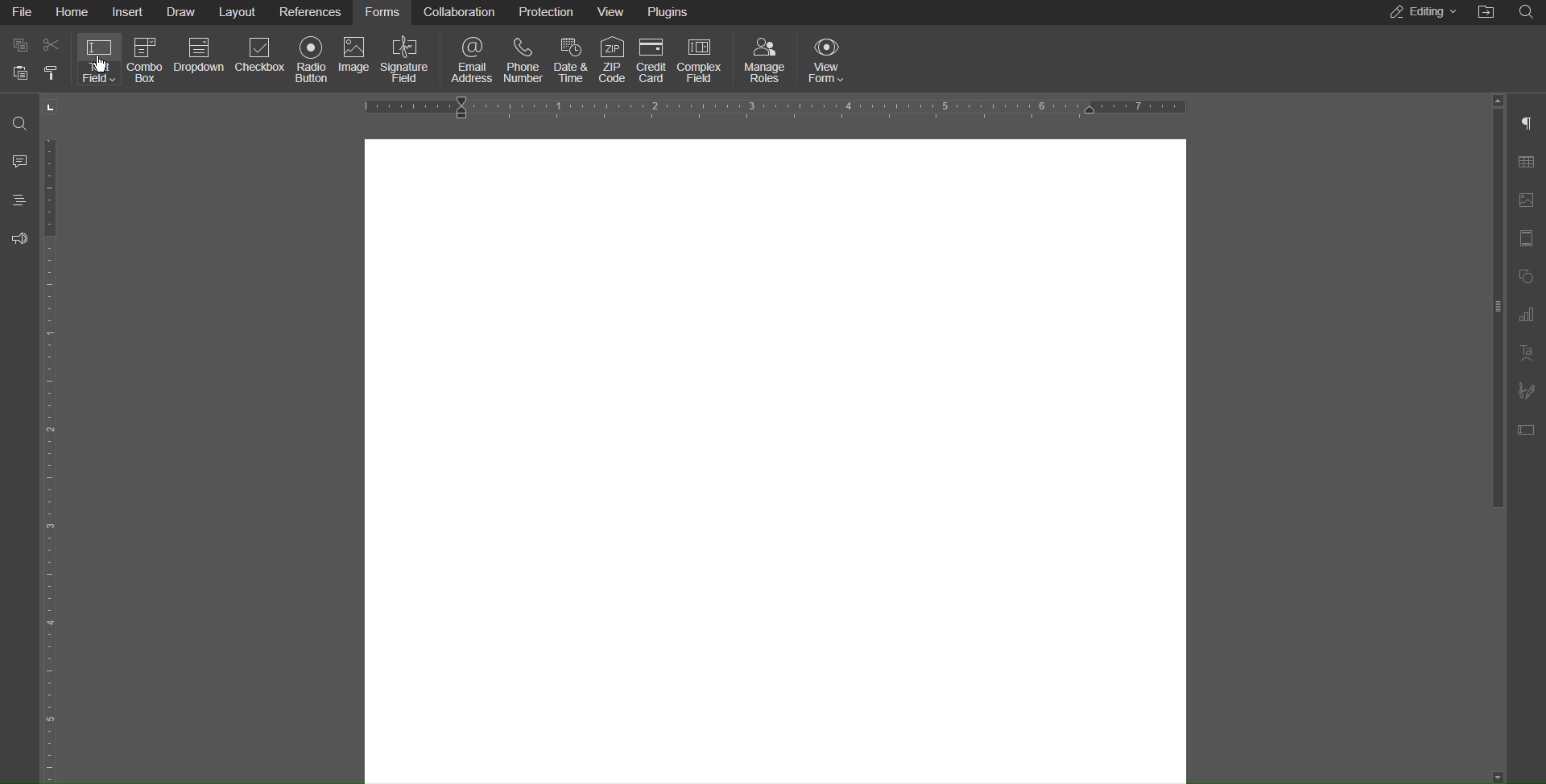  Describe the element at coordinates (1528, 201) in the screenshot. I see `Image Settings` at that location.